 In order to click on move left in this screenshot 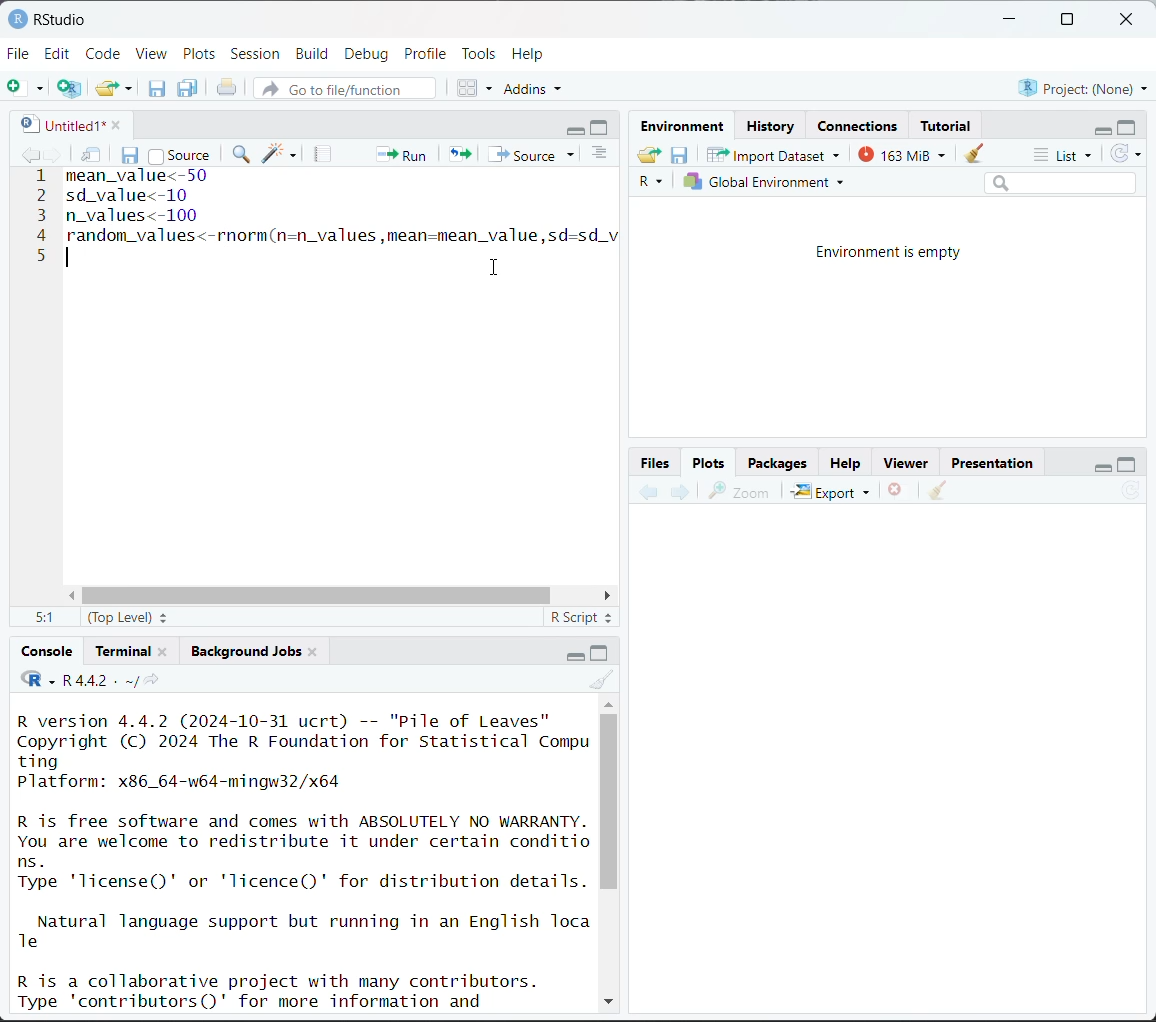, I will do `click(76, 596)`.